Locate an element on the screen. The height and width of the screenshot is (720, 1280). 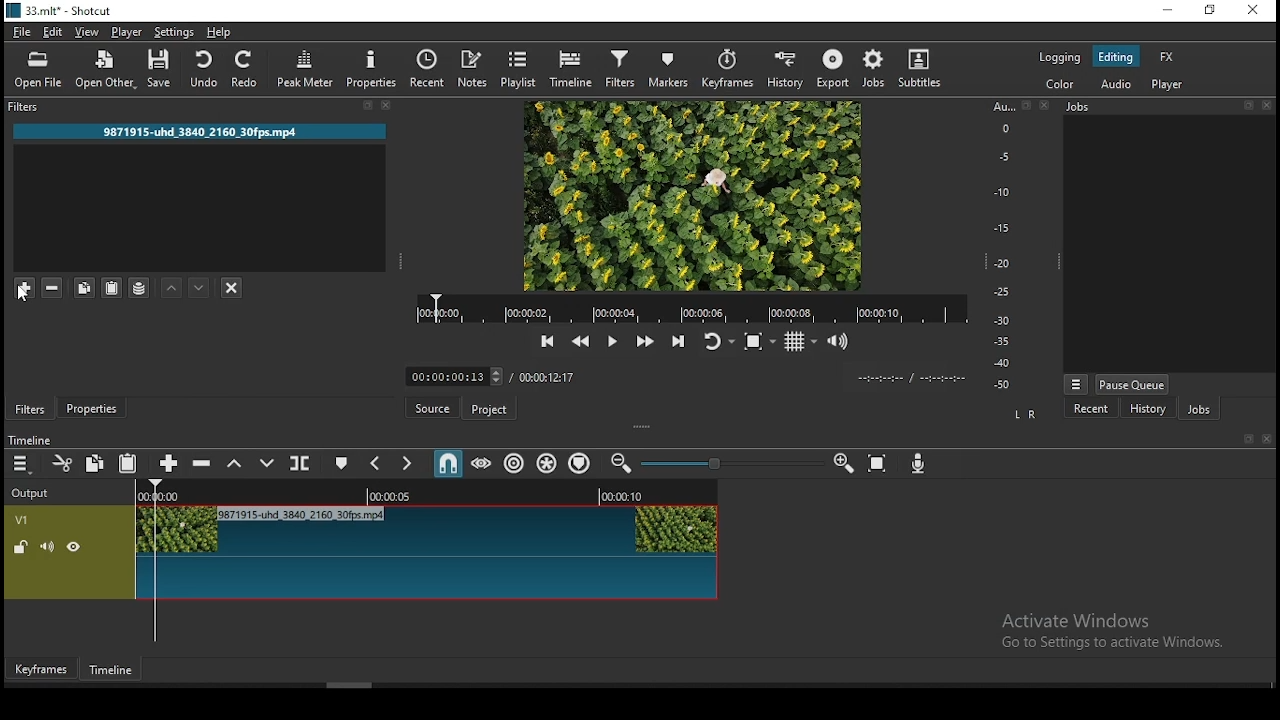
keyframes is located at coordinates (43, 669).